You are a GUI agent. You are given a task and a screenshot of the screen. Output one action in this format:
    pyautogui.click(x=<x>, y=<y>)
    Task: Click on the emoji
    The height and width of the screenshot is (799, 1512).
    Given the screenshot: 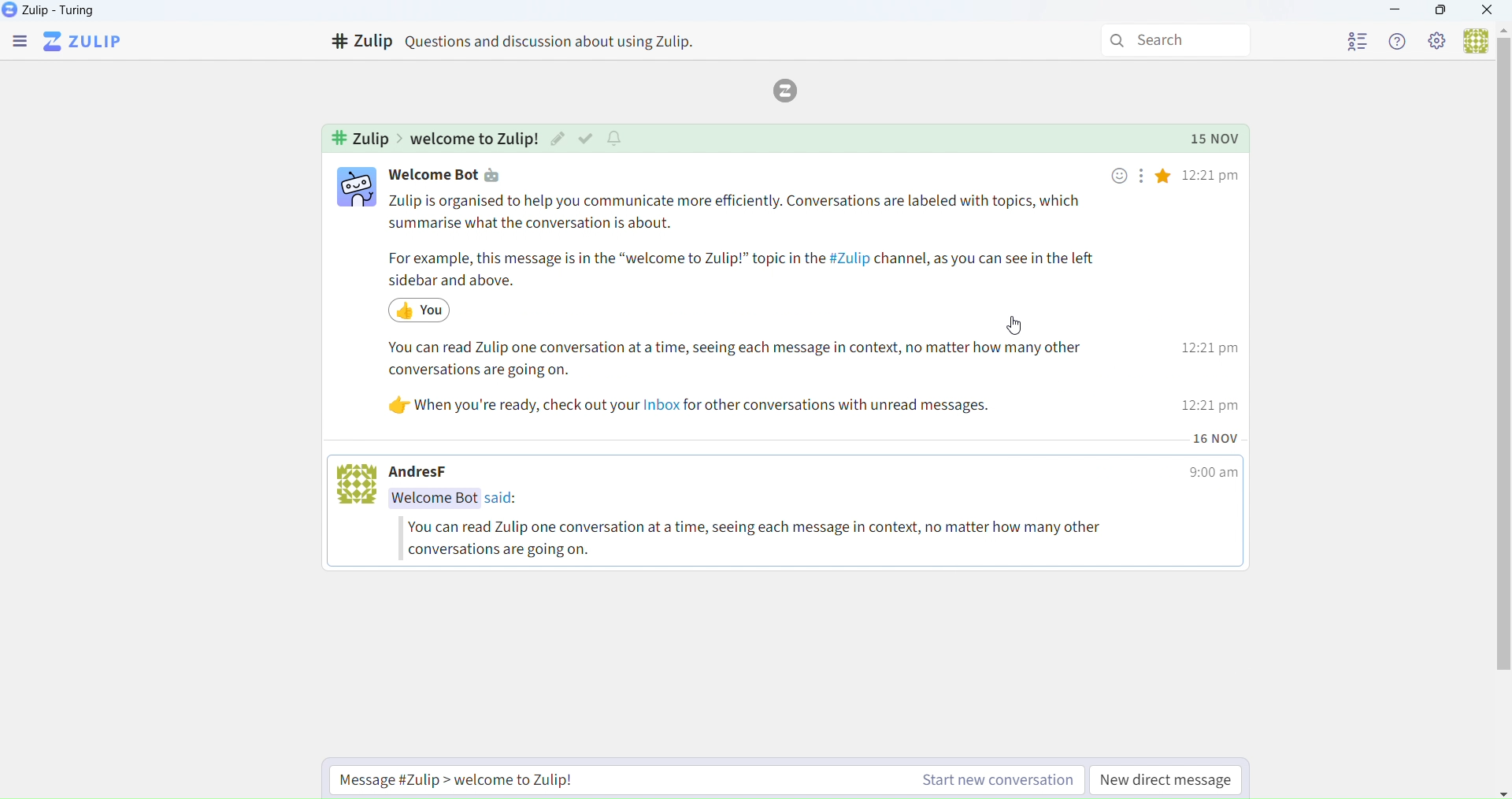 What is the action you would take?
    pyautogui.click(x=1120, y=176)
    